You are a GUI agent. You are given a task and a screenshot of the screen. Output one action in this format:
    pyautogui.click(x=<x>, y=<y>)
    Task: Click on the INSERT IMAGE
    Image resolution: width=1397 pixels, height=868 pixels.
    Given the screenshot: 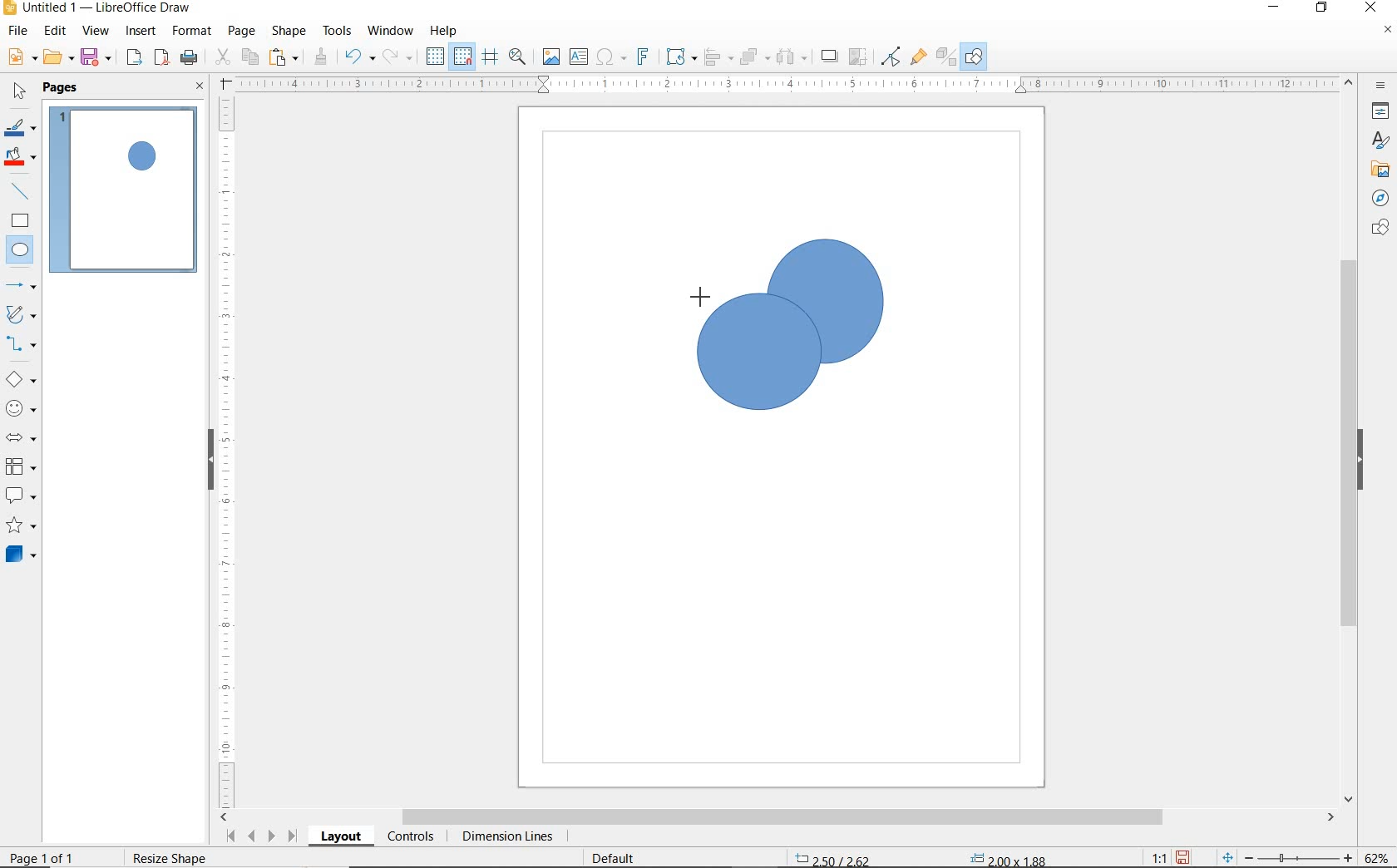 What is the action you would take?
    pyautogui.click(x=551, y=57)
    